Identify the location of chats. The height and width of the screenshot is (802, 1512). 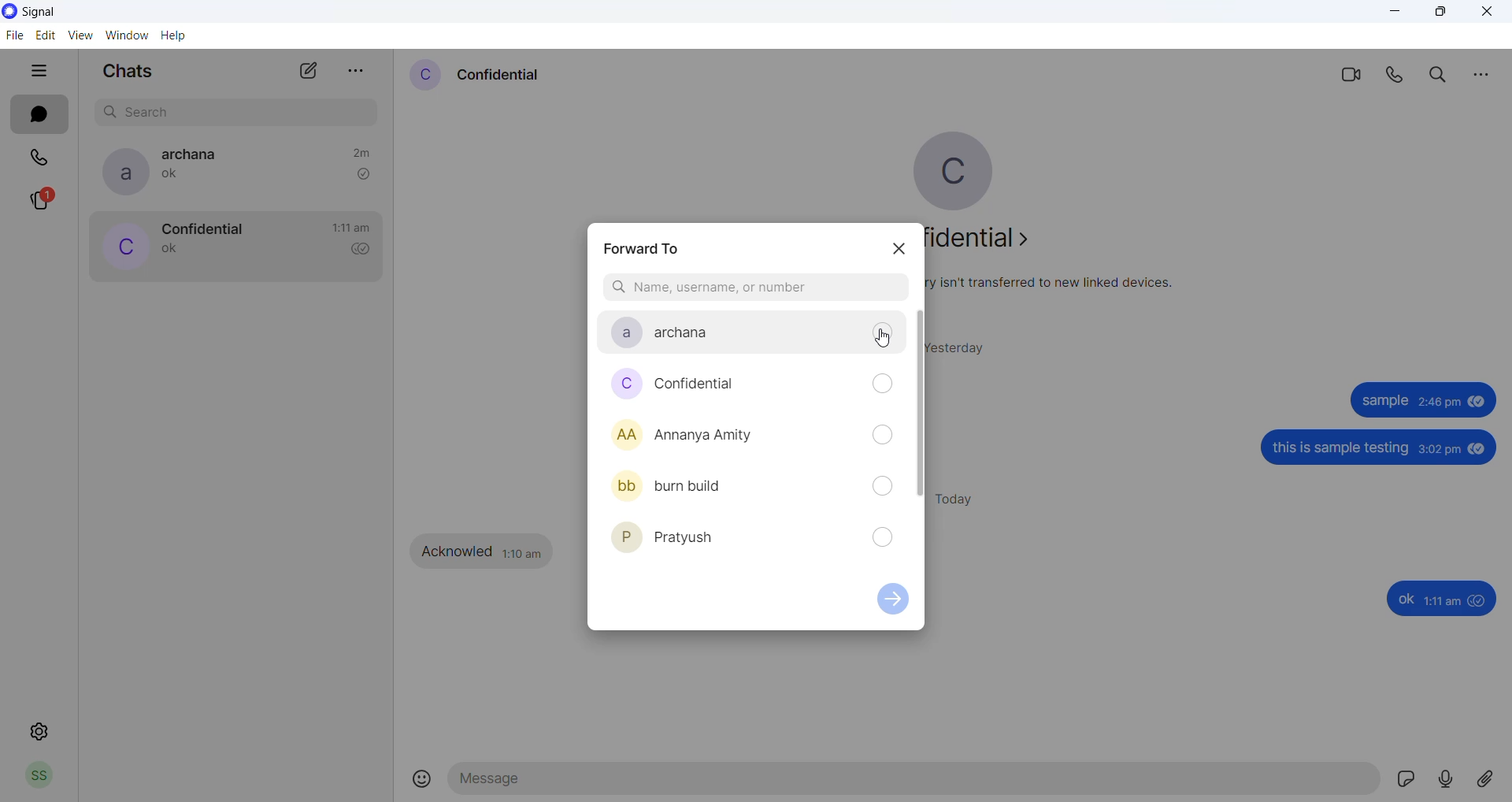
(39, 115).